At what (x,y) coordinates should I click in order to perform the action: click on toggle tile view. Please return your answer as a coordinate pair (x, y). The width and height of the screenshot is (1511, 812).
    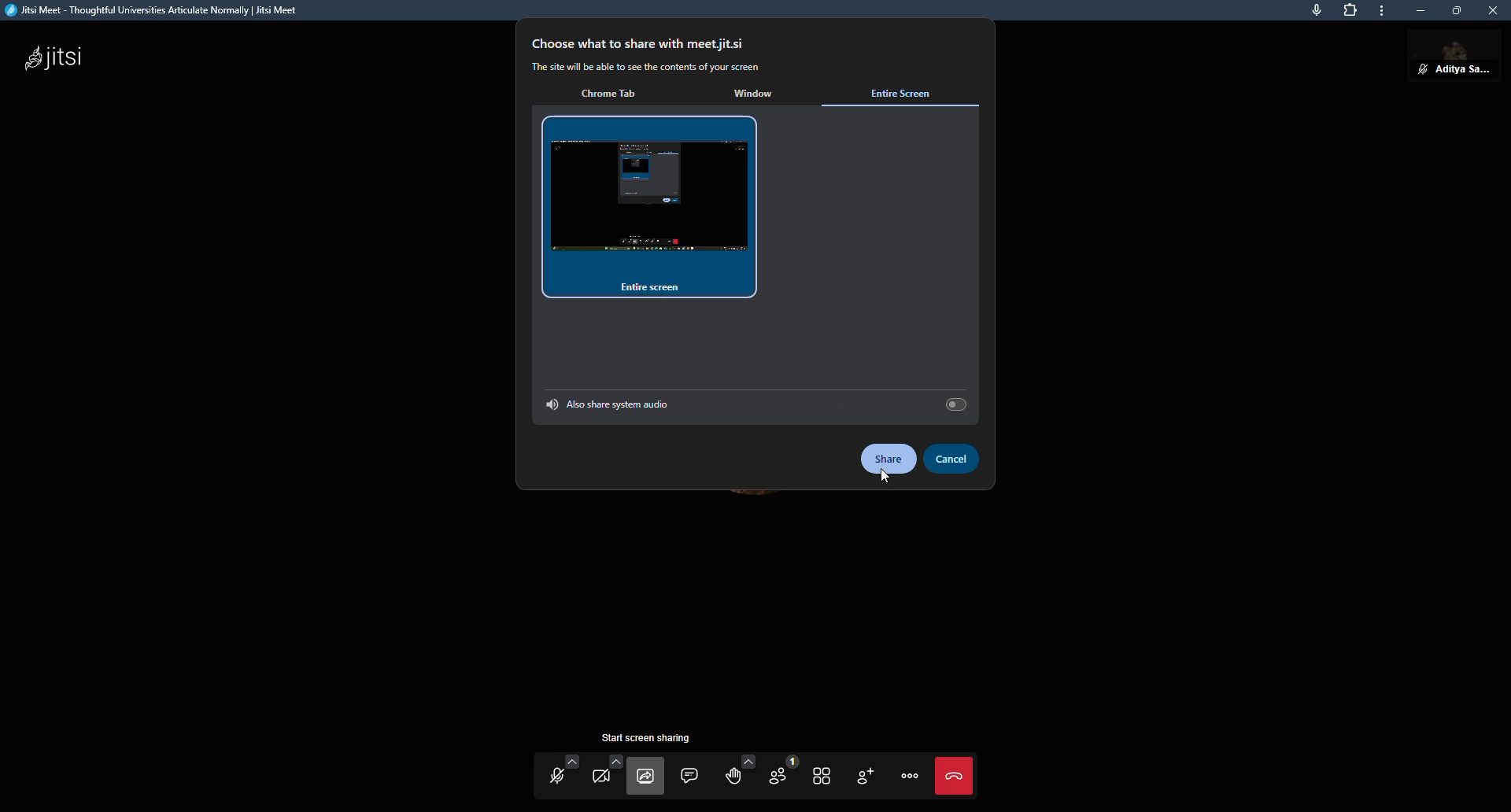
    Looking at the image, I should click on (822, 774).